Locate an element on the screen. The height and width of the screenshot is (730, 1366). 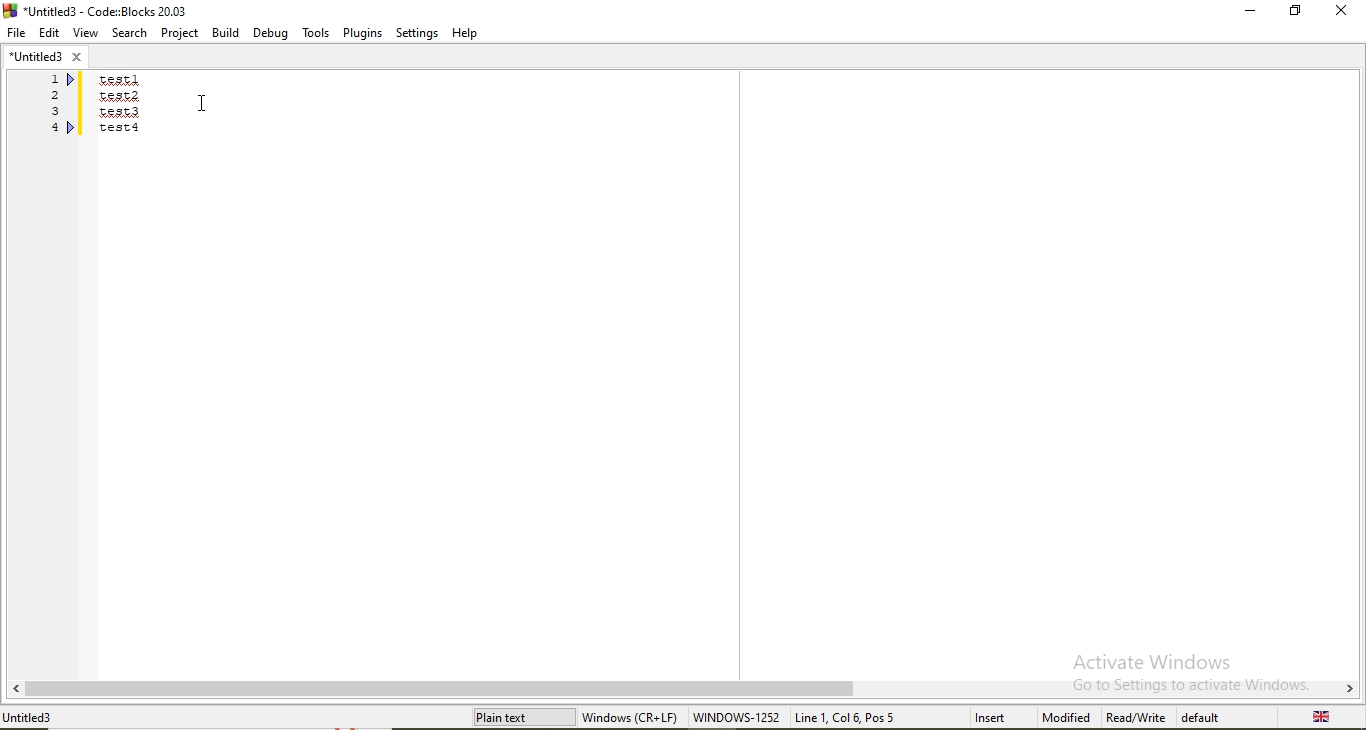
Build  is located at coordinates (227, 33).